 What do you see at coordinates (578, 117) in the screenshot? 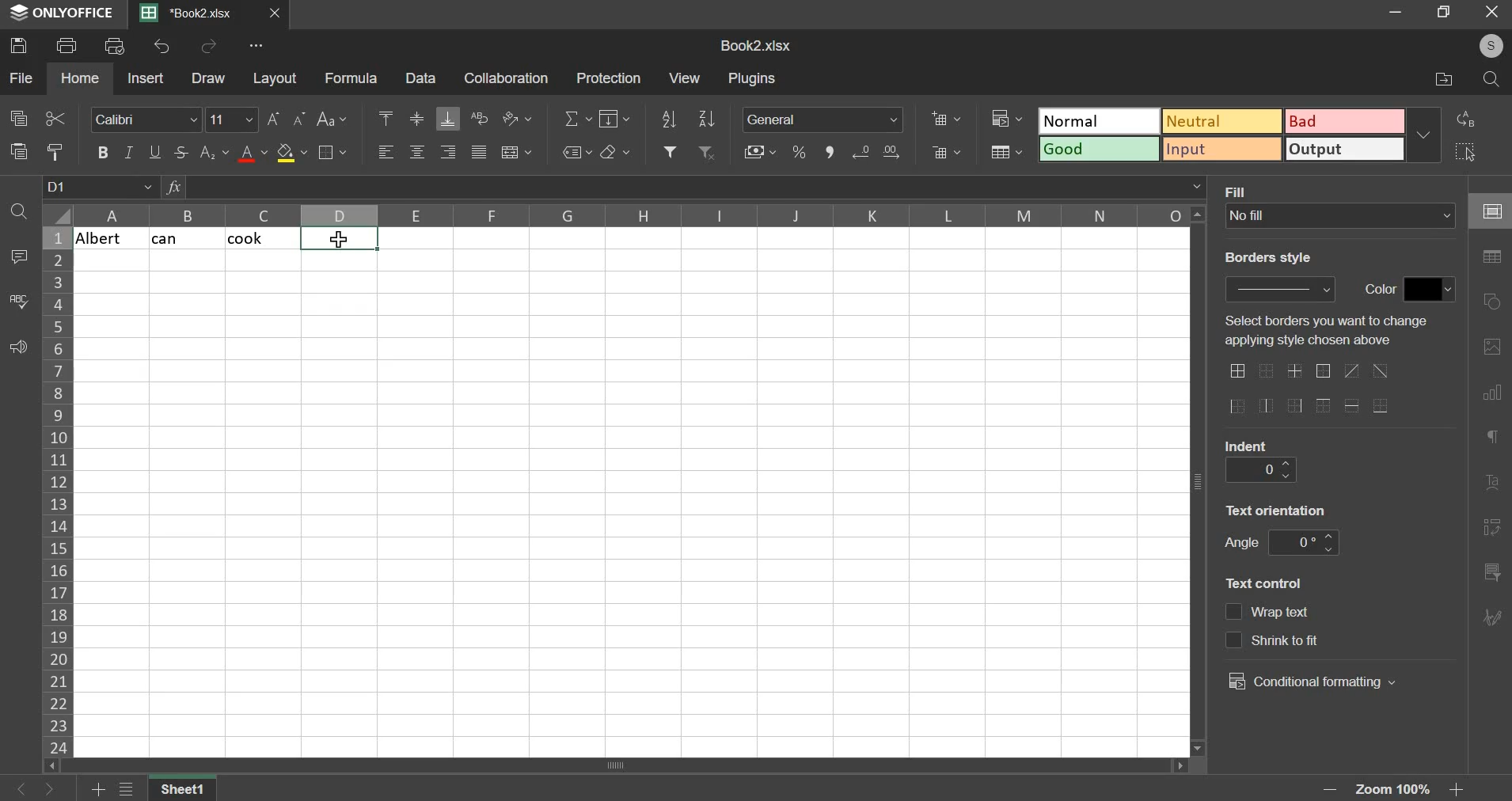
I see `sum` at bounding box center [578, 117].